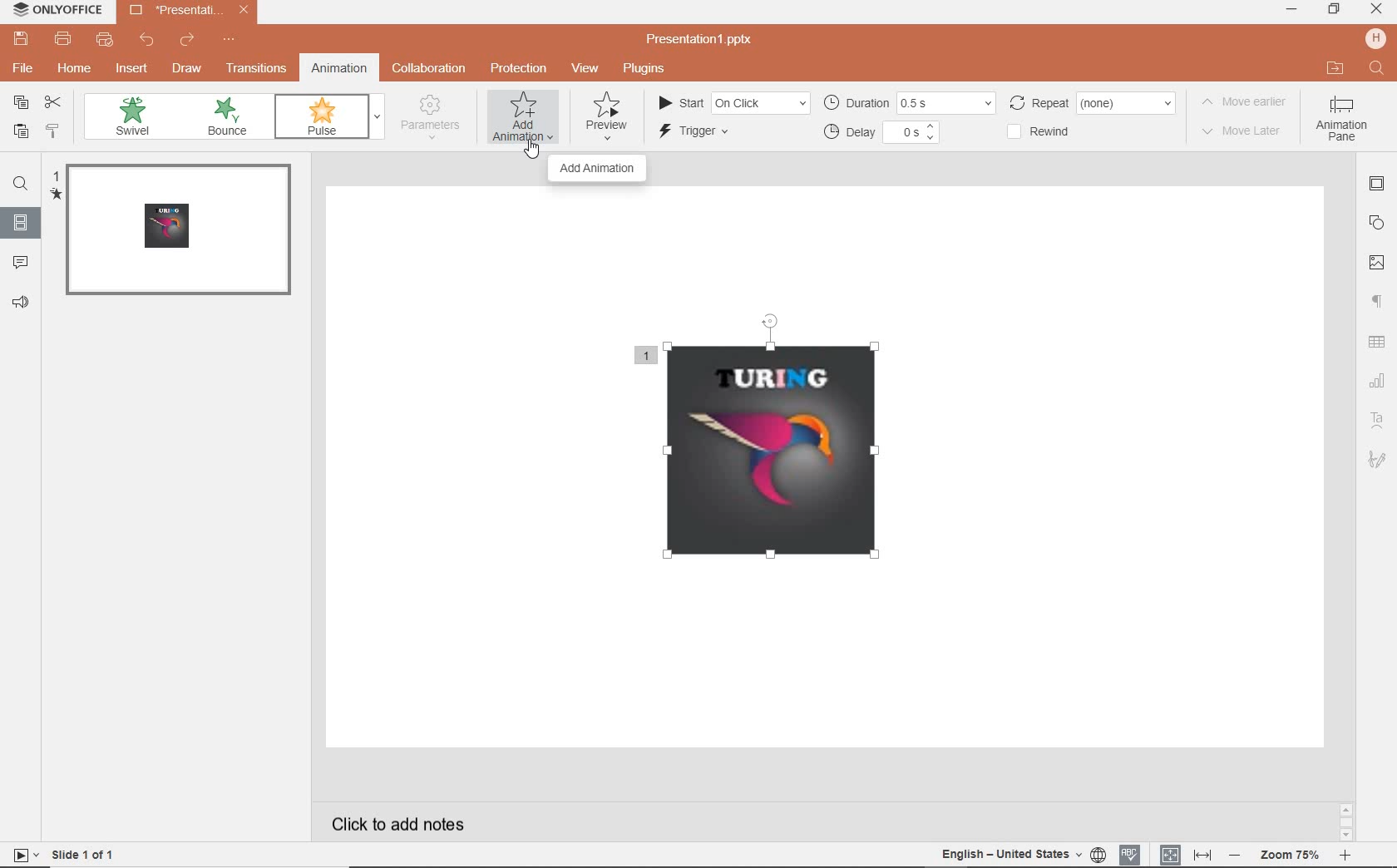 The height and width of the screenshot is (868, 1397). What do you see at coordinates (320, 117) in the screenshot?
I see `pulse` at bounding box center [320, 117].